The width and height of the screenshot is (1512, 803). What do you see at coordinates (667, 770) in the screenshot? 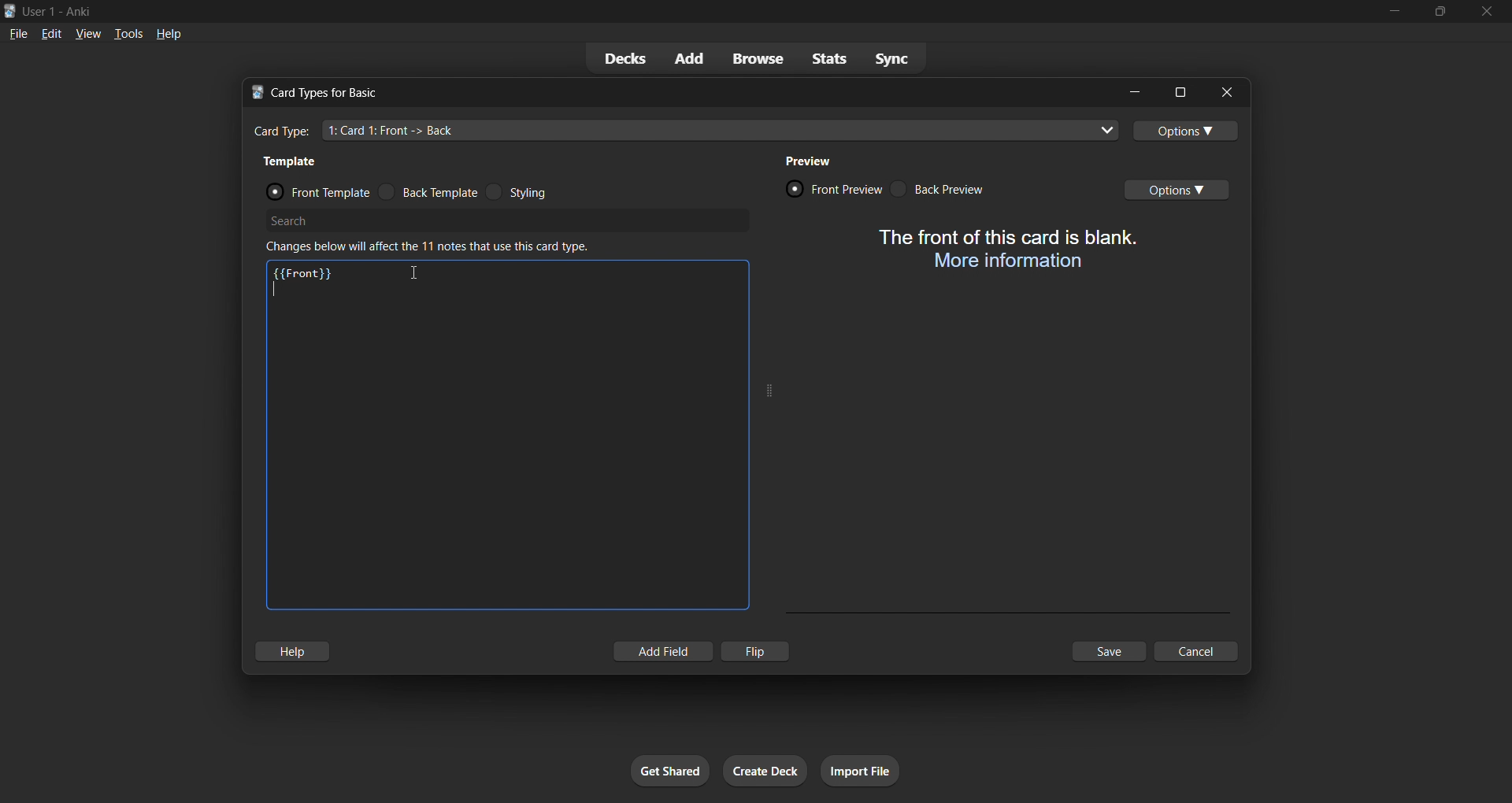
I see `get shared` at bounding box center [667, 770].